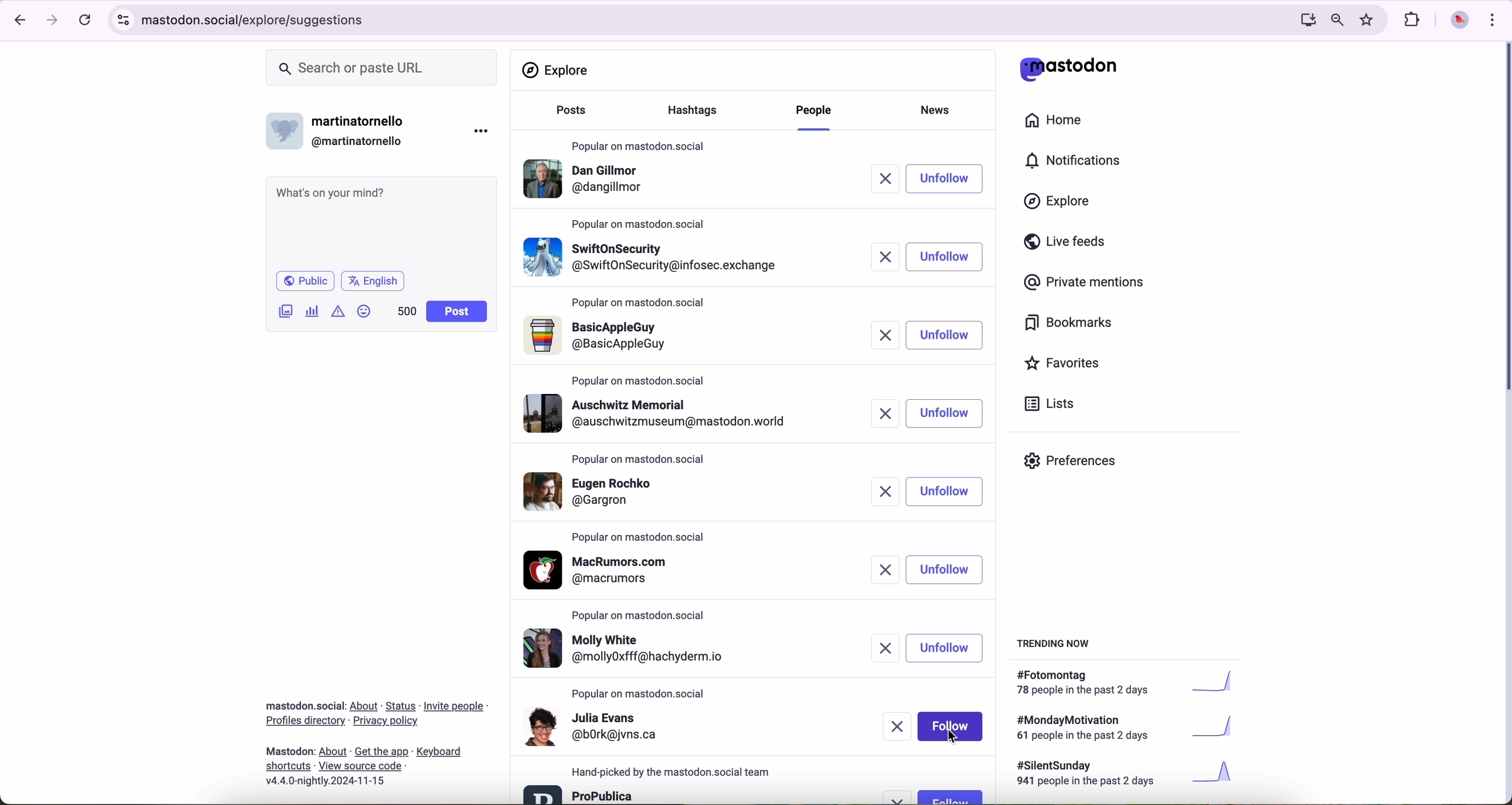  I want to click on popular on mastodon.social, so click(640, 538).